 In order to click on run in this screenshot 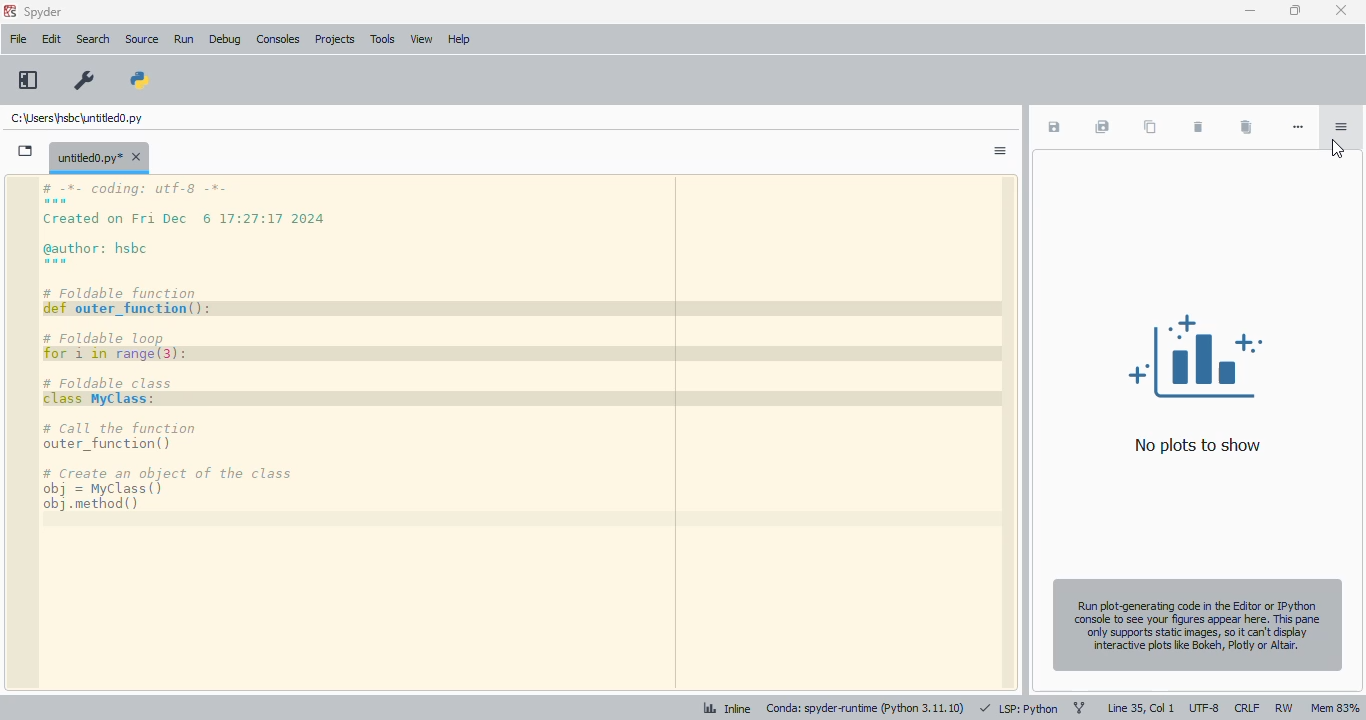, I will do `click(184, 40)`.